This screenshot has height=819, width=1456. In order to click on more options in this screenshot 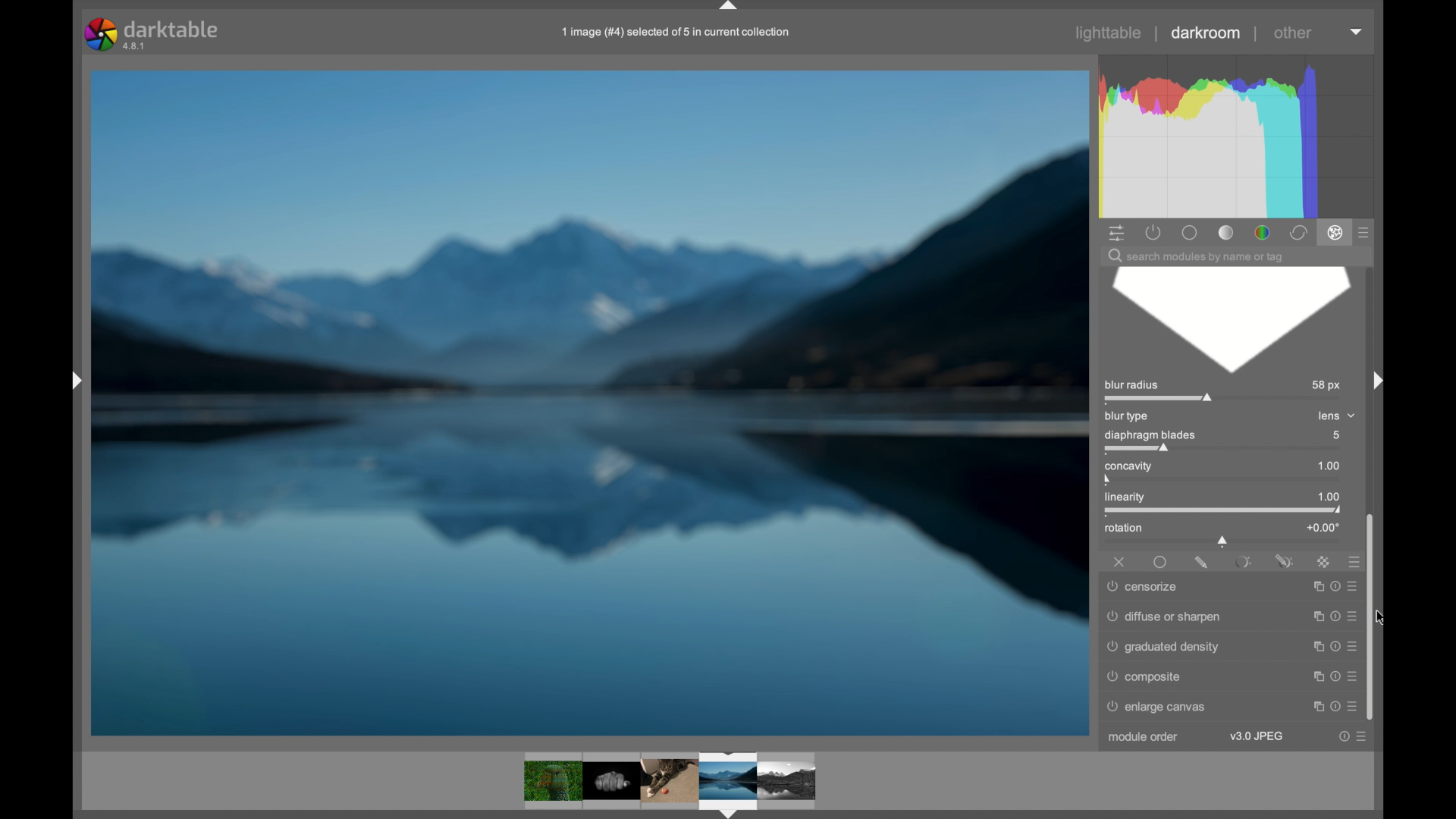, I will do `click(1354, 675)`.